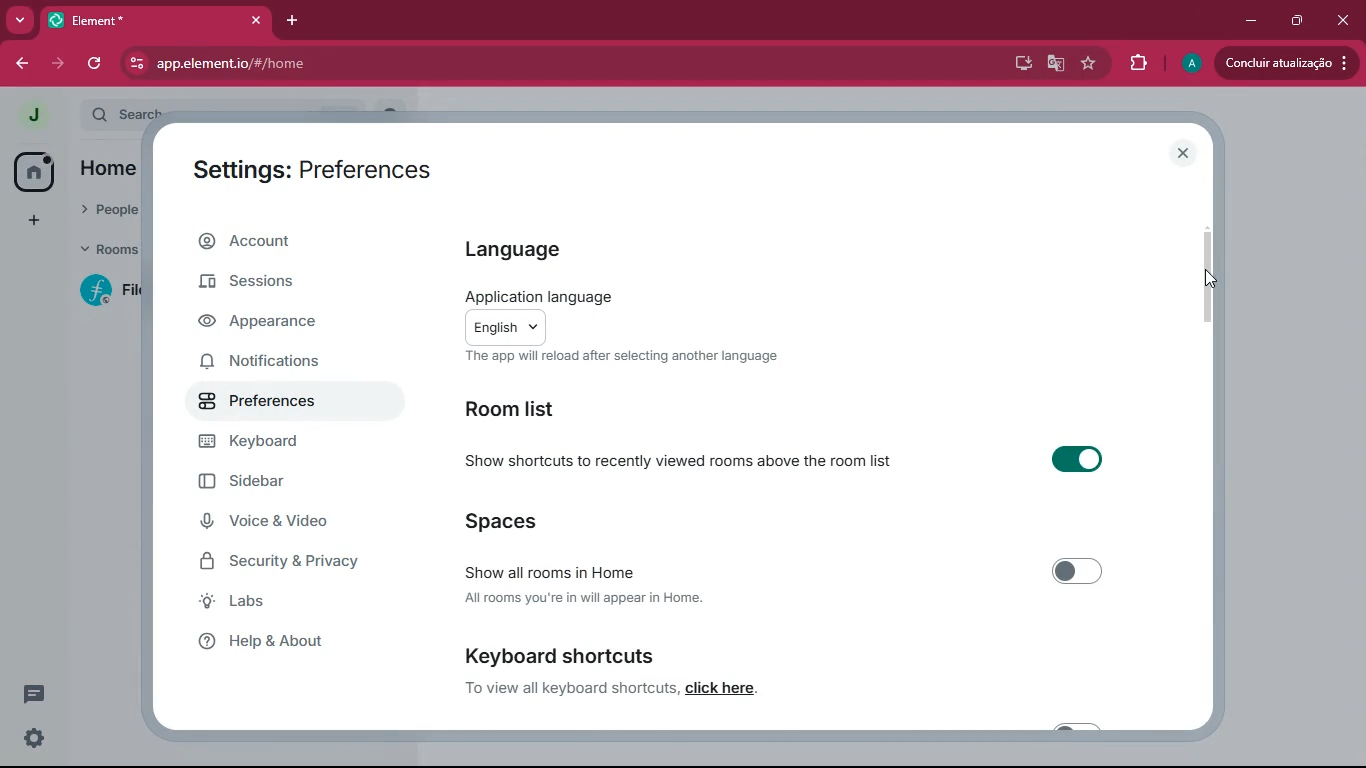 The width and height of the screenshot is (1366, 768). I want to click on The app will reload after selecting another language, so click(624, 357).